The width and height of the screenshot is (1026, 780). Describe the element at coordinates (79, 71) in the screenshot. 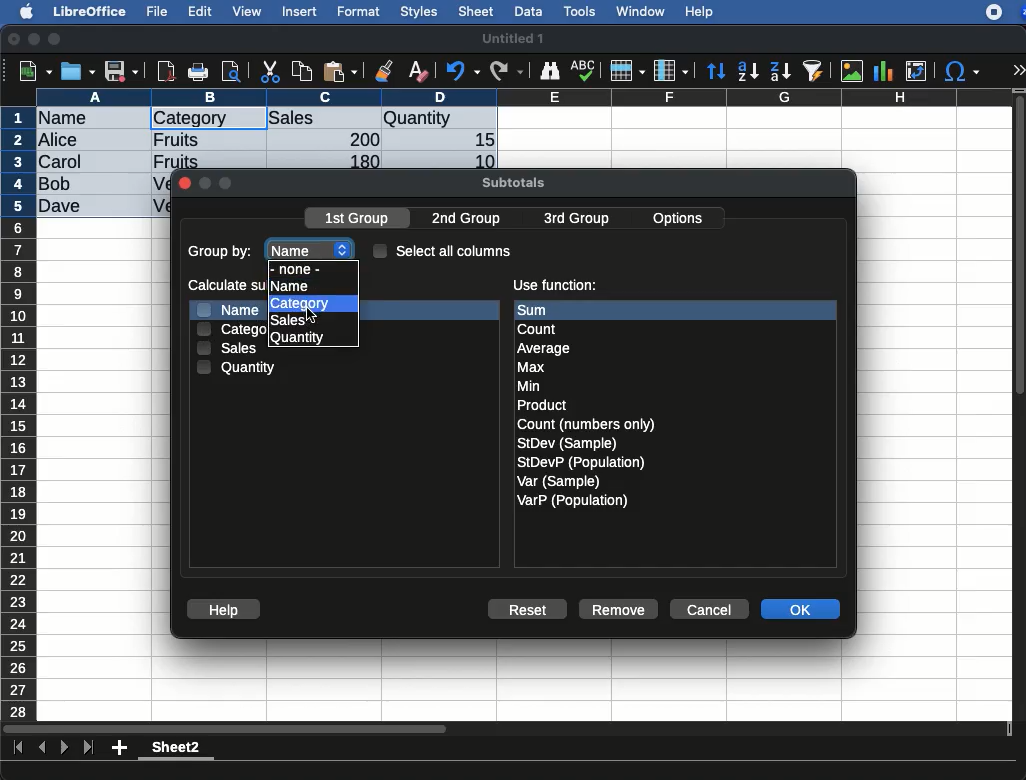

I see `save` at that location.